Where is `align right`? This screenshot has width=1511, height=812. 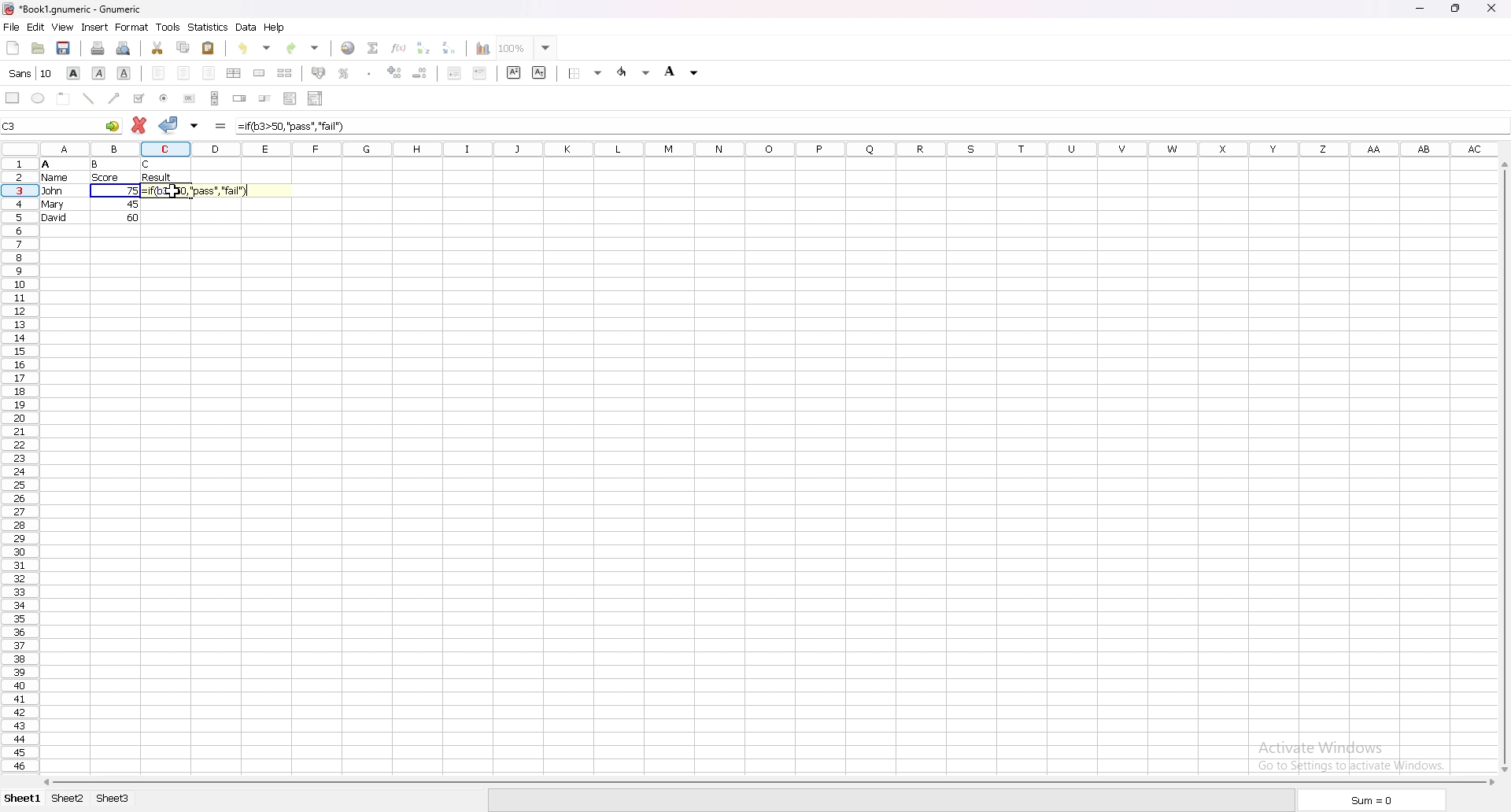 align right is located at coordinates (209, 73).